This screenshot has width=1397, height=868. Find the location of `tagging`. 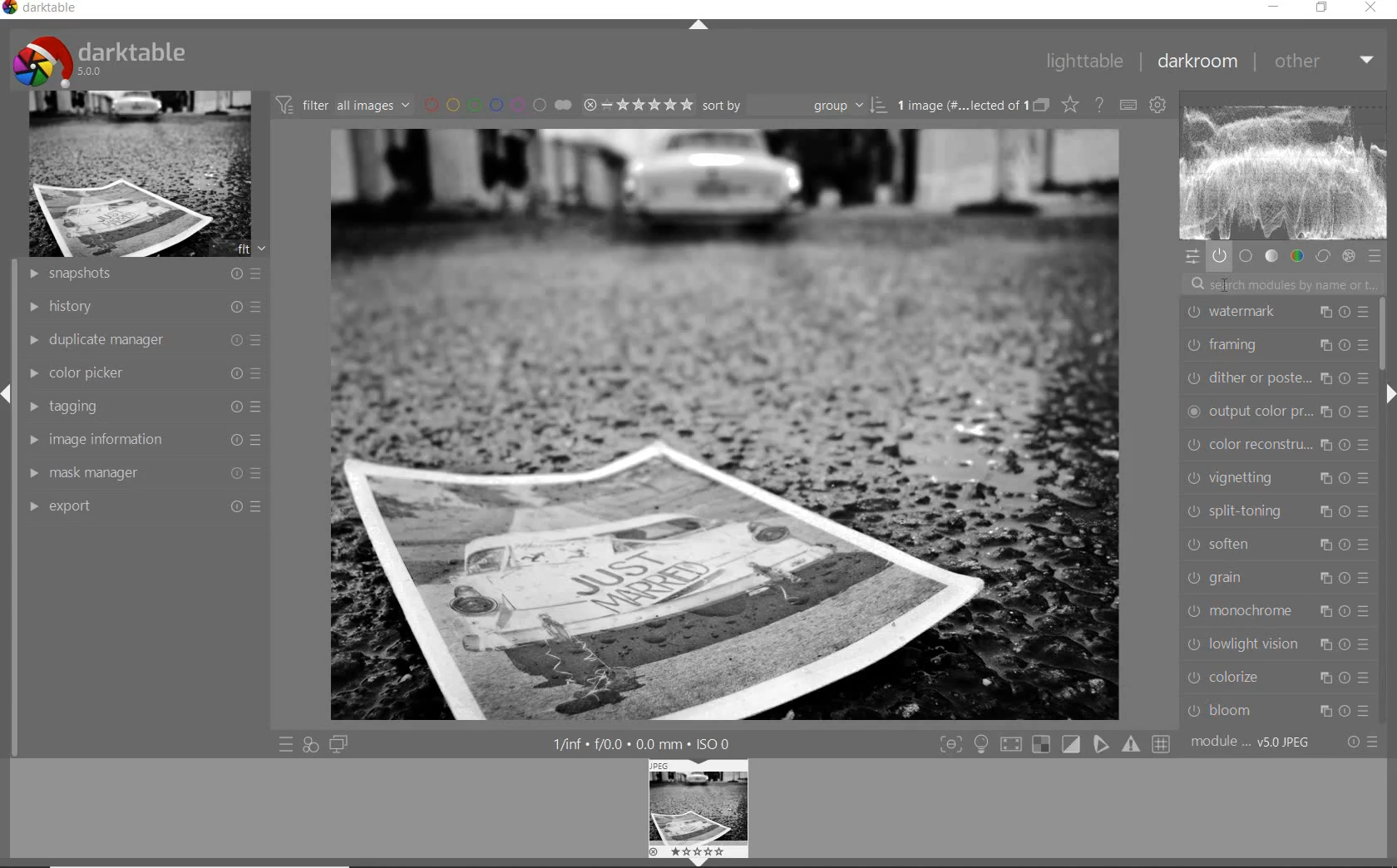

tagging is located at coordinates (142, 409).